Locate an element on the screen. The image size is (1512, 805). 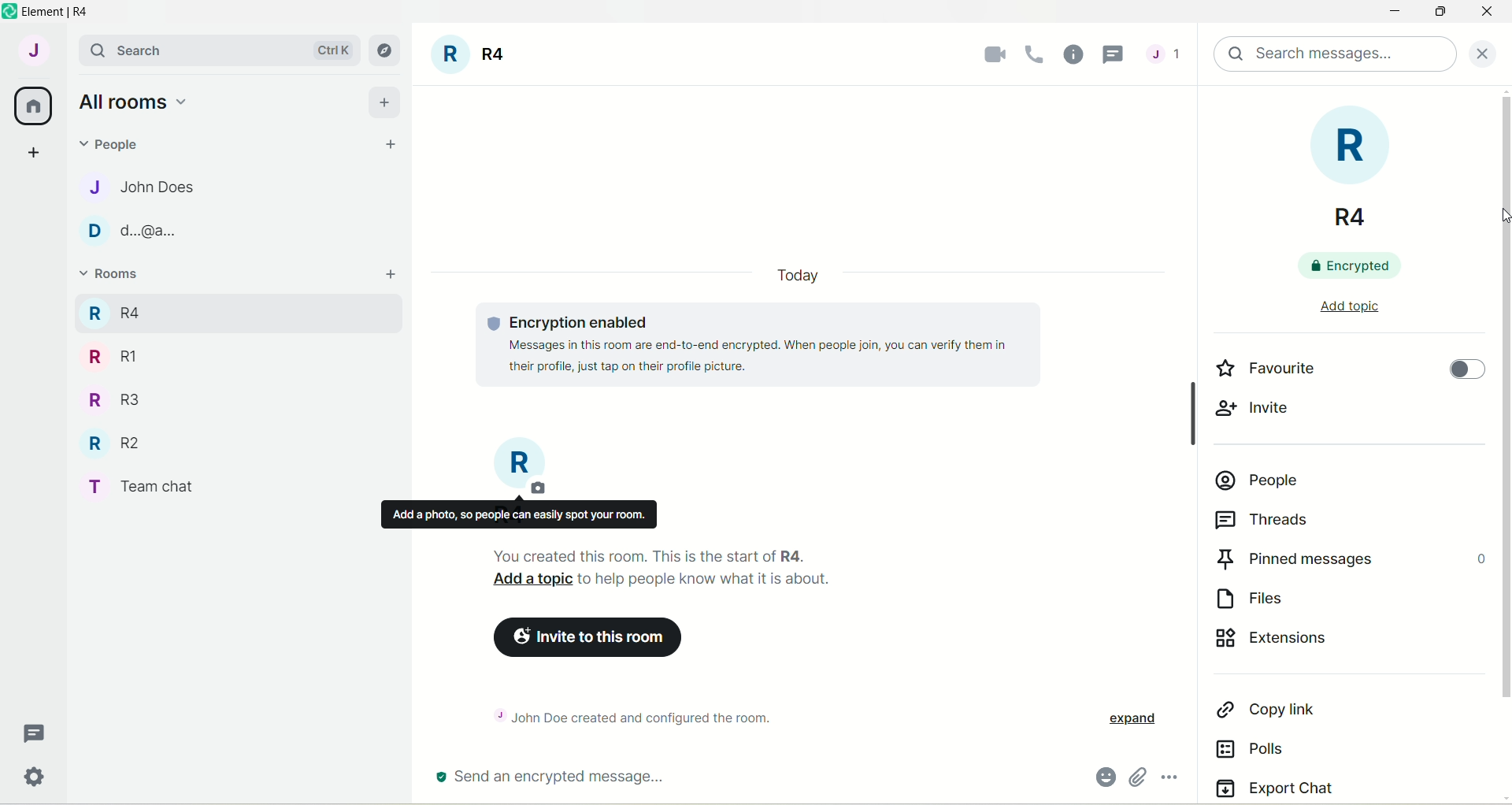
D d.@a.. is located at coordinates (127, 231).